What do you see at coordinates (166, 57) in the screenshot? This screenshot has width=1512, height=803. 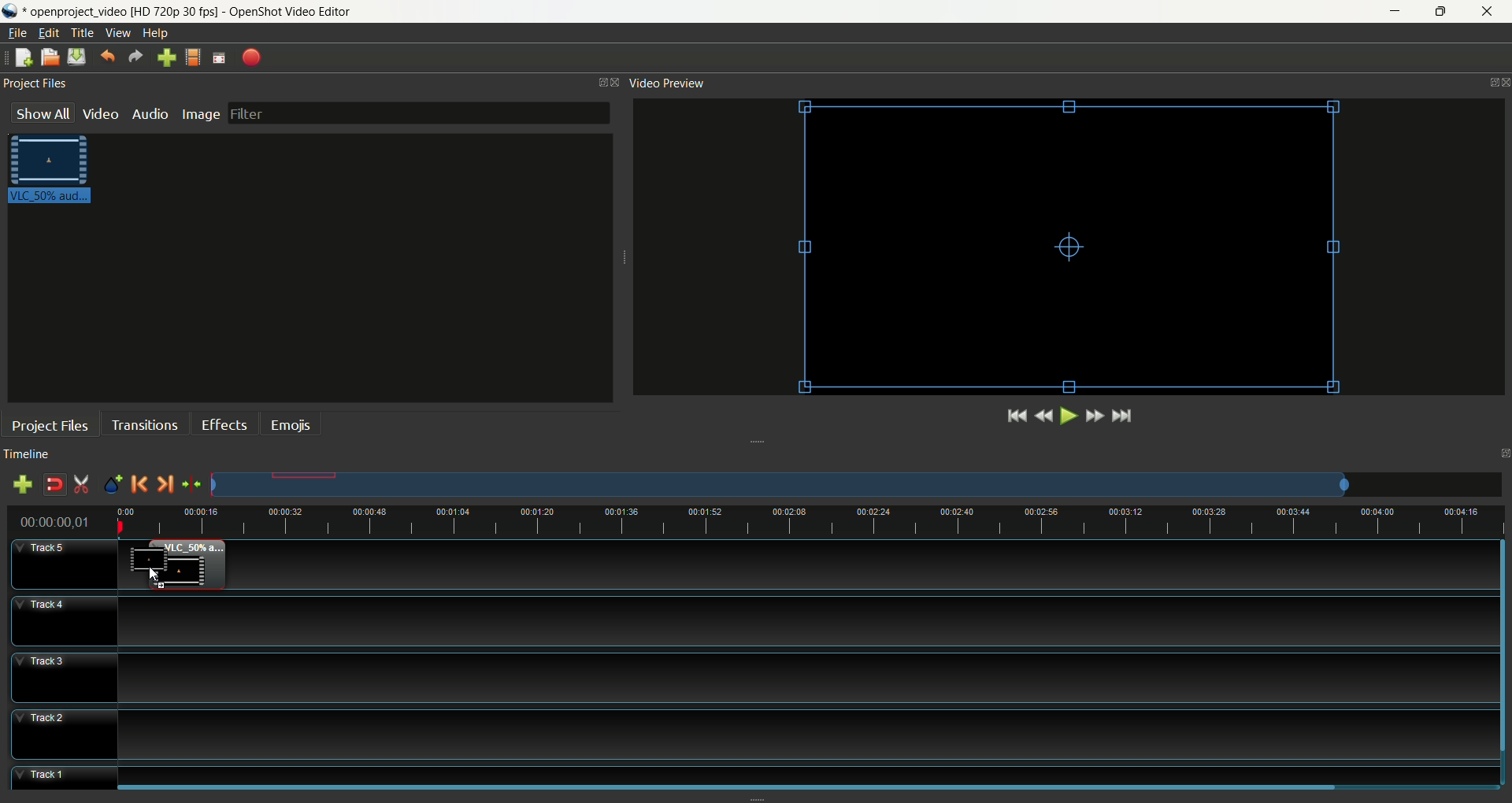 I see `import files` at bounding box center [166, 57].